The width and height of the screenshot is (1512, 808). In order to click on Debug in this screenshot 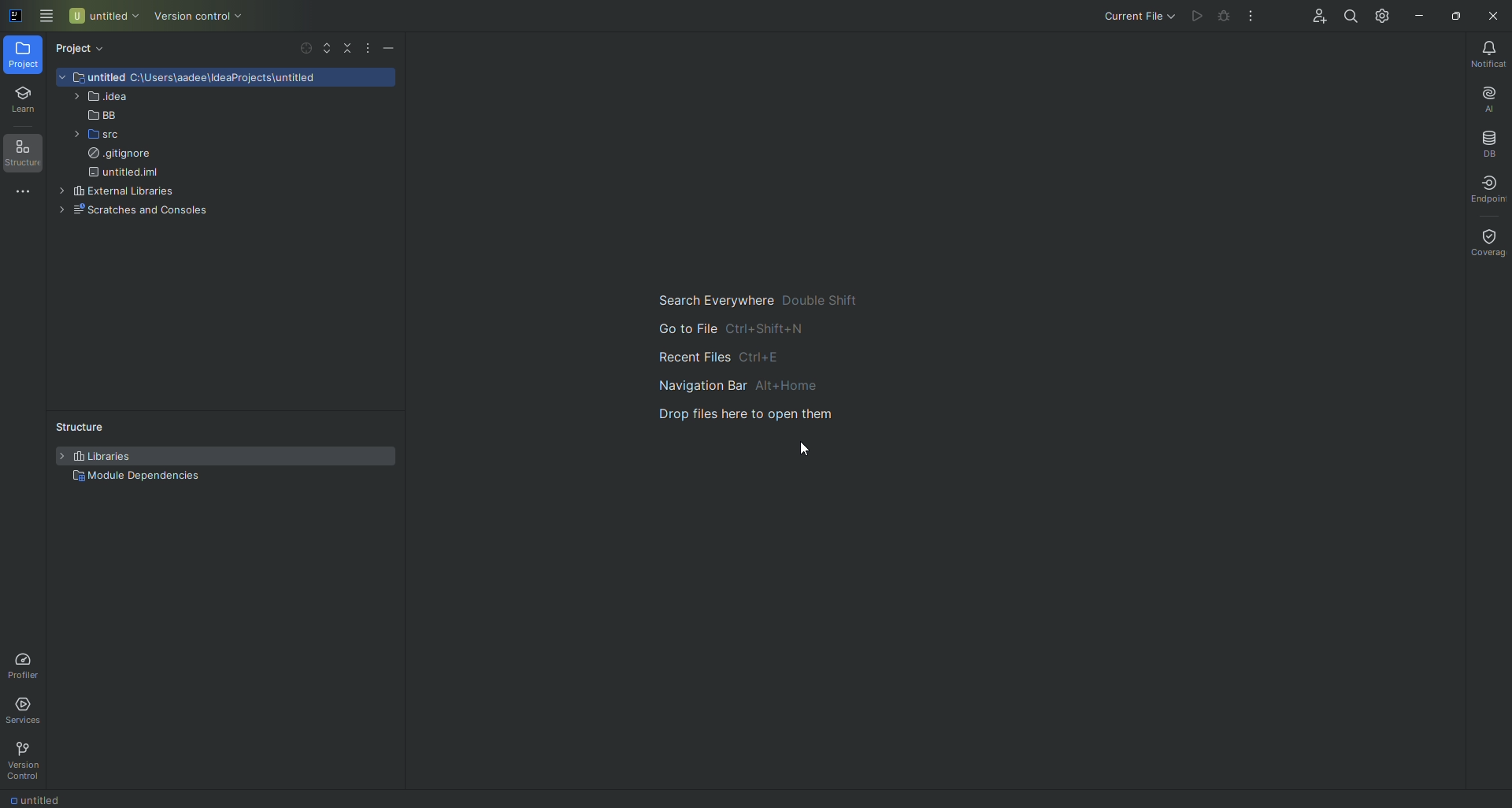, I will do `click(1221, 16)`.